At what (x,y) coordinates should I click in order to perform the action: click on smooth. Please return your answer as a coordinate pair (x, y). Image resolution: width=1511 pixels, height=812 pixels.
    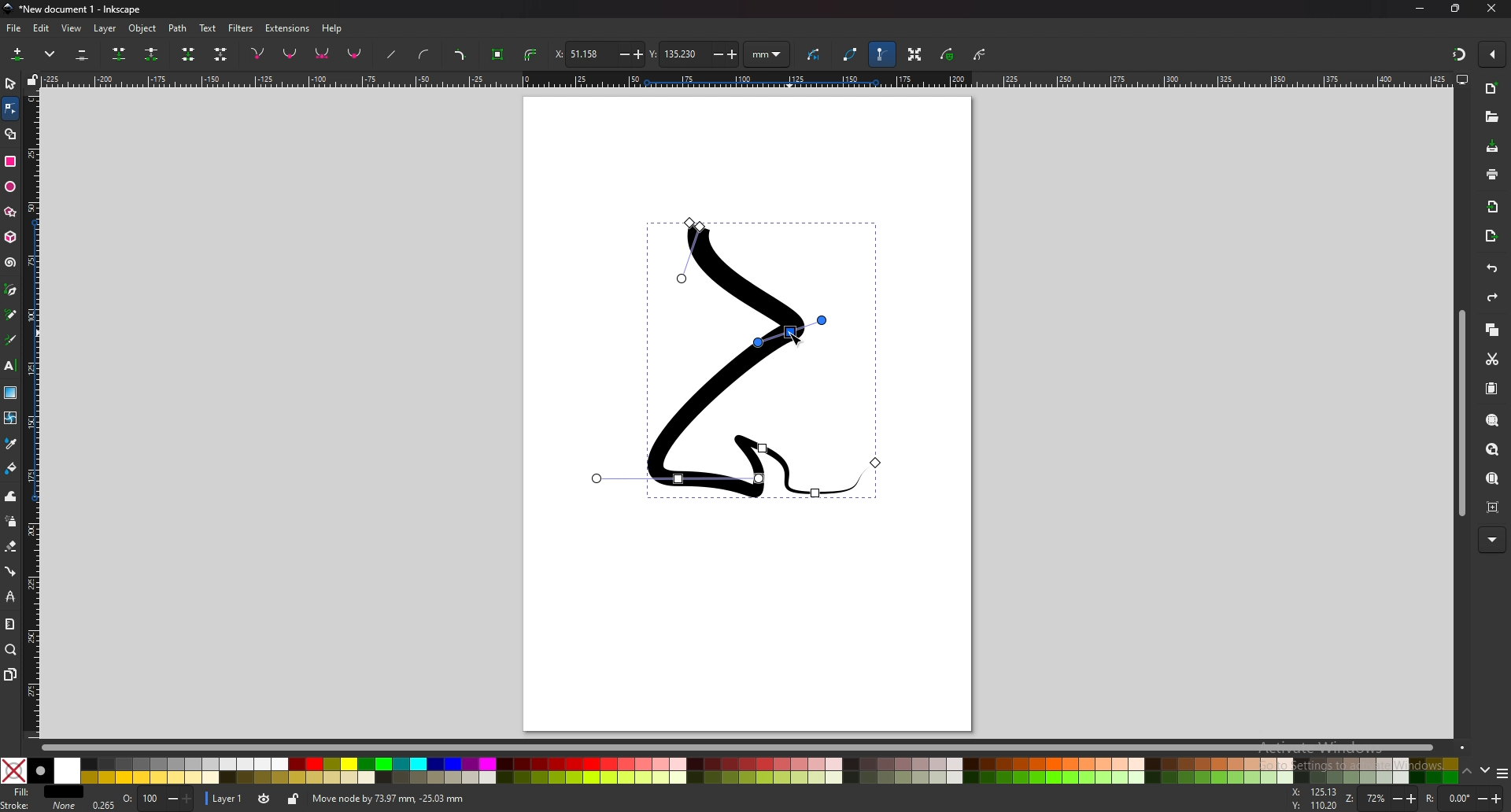
    Looking at the image, I should click on (290, 55).